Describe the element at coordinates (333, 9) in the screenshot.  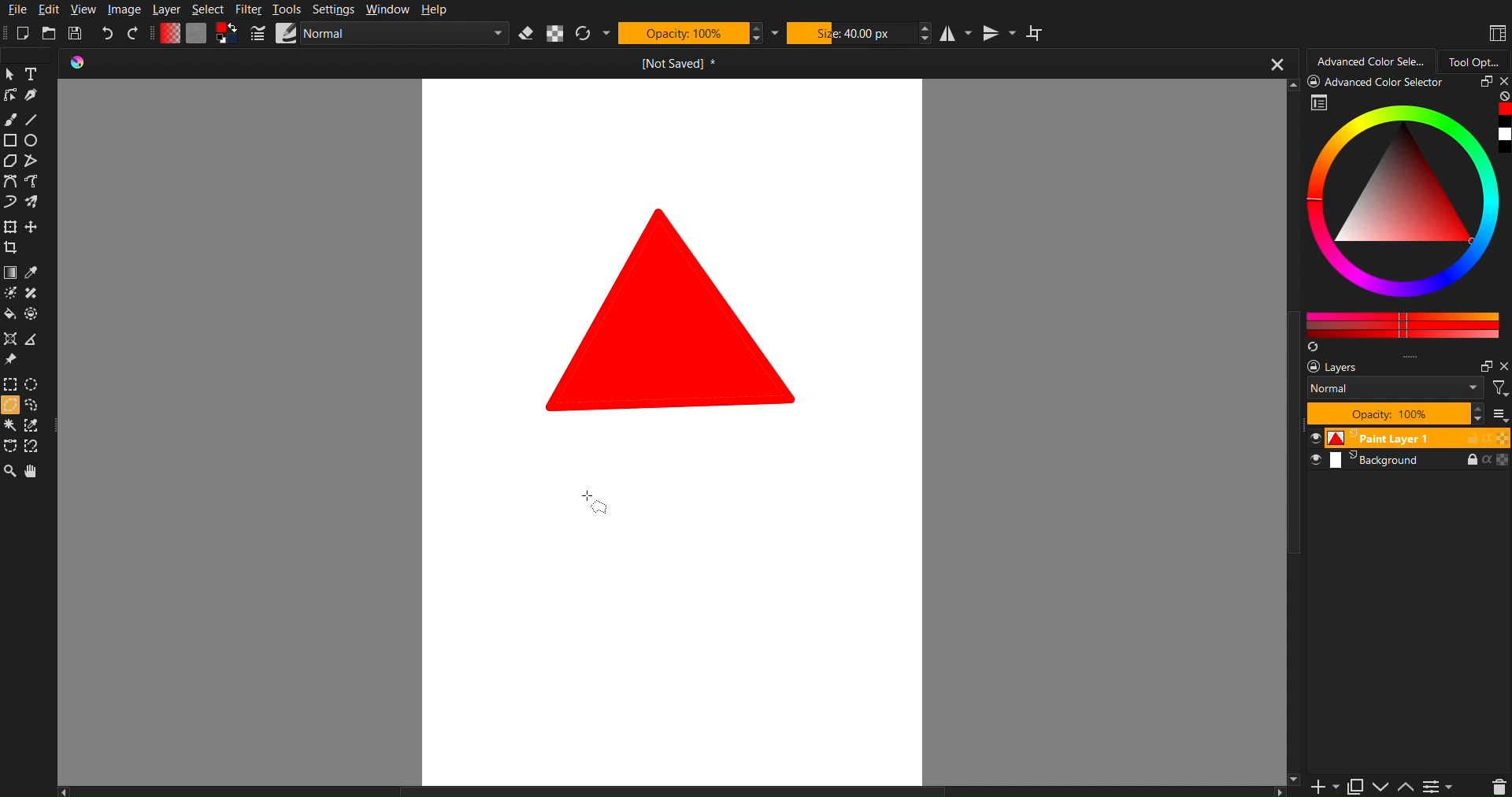
I see `Settings` at that location.